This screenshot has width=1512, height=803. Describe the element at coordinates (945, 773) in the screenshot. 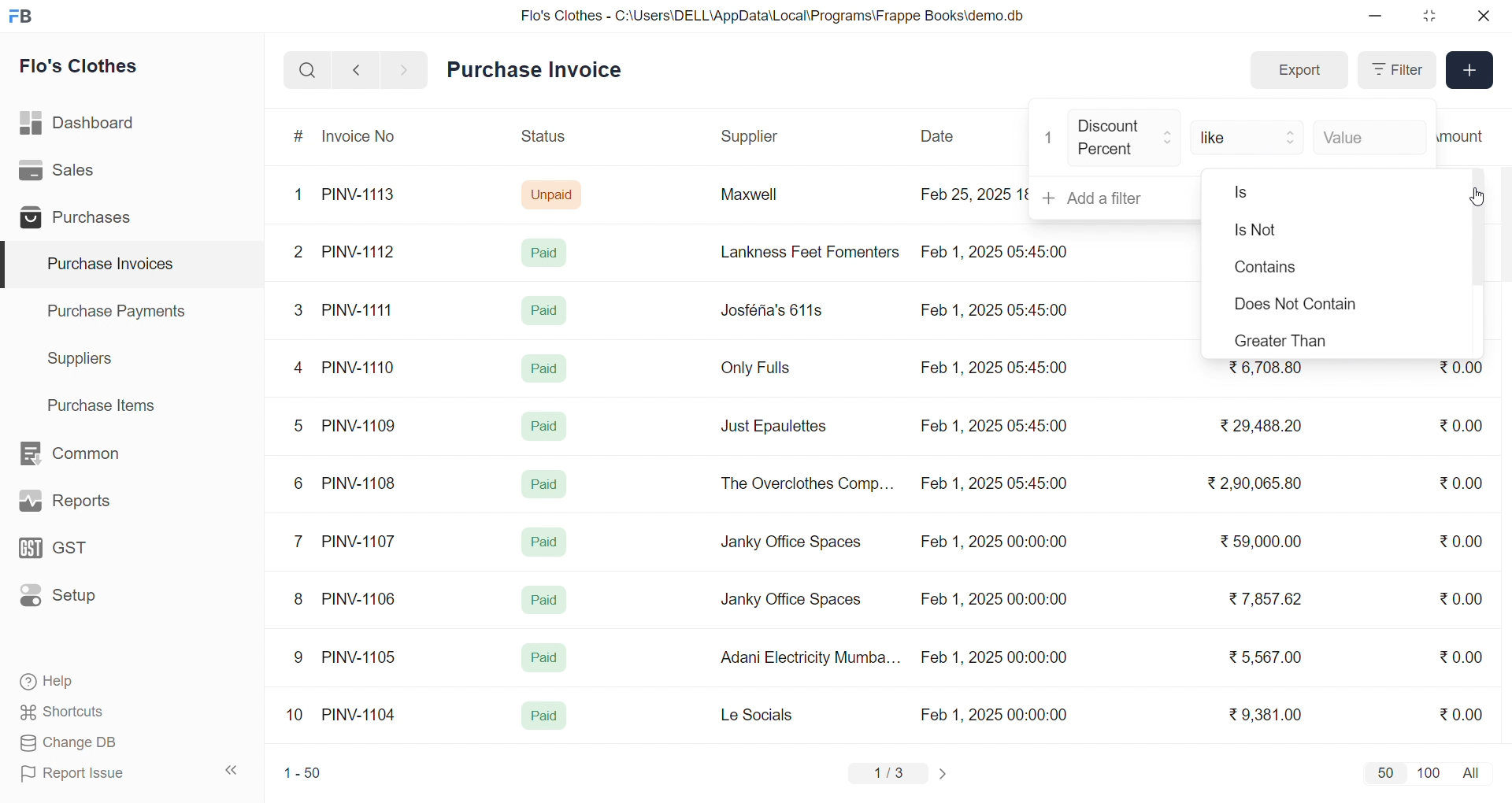

I see `change page` at that location.